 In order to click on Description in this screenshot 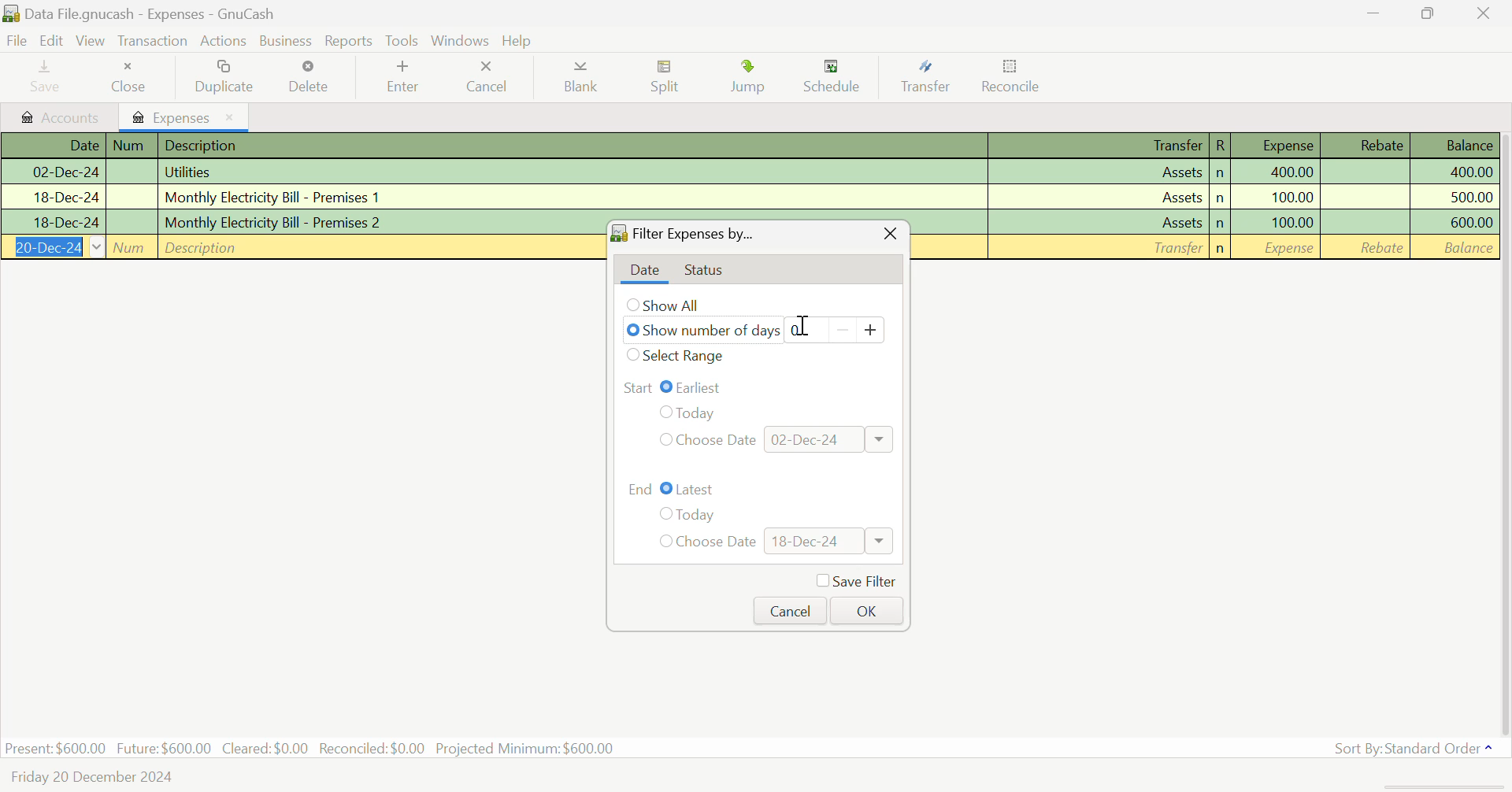, I will do `click(573, 146)`.